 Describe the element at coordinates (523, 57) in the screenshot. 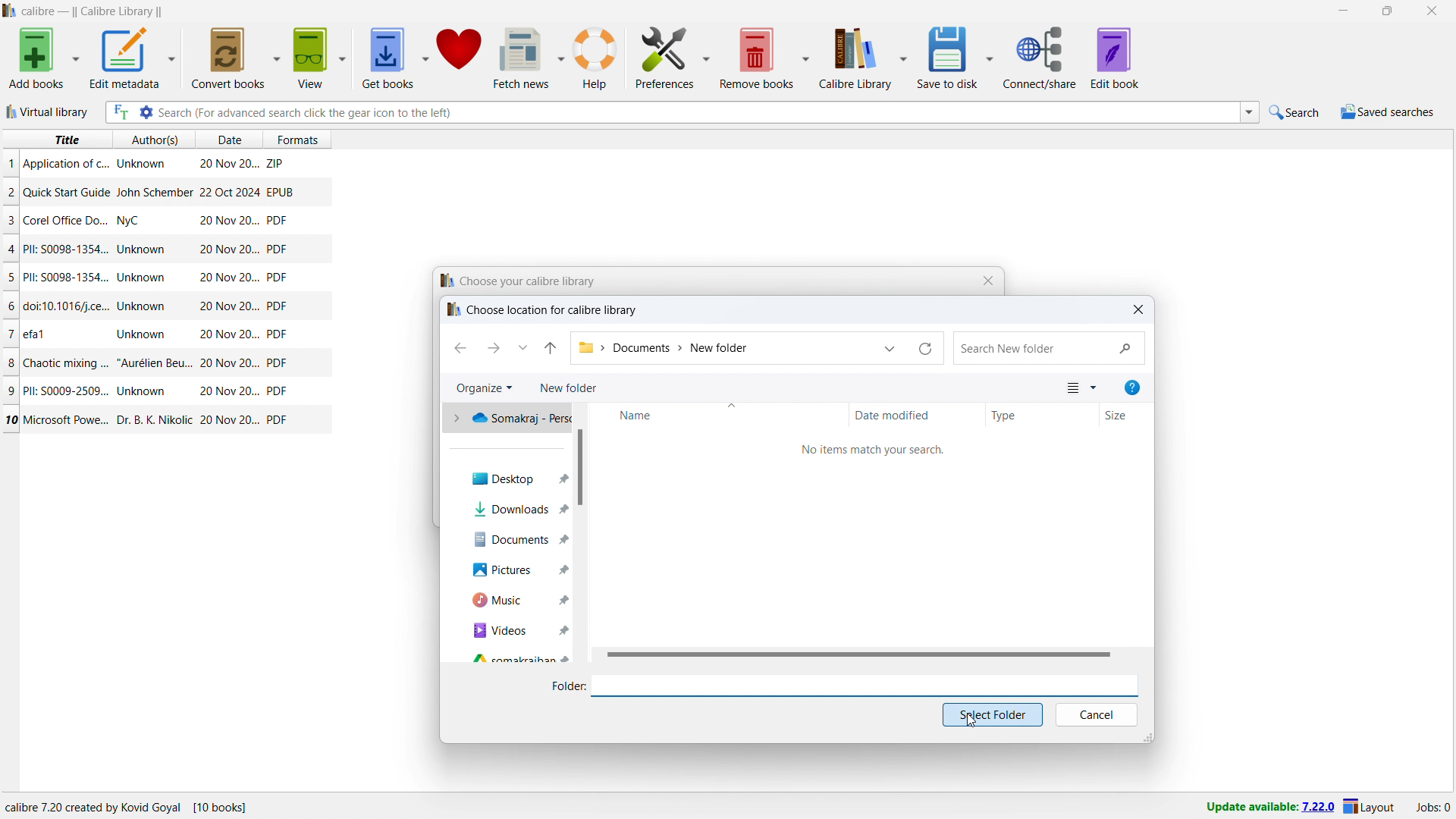

I see `fetch news` at that location.